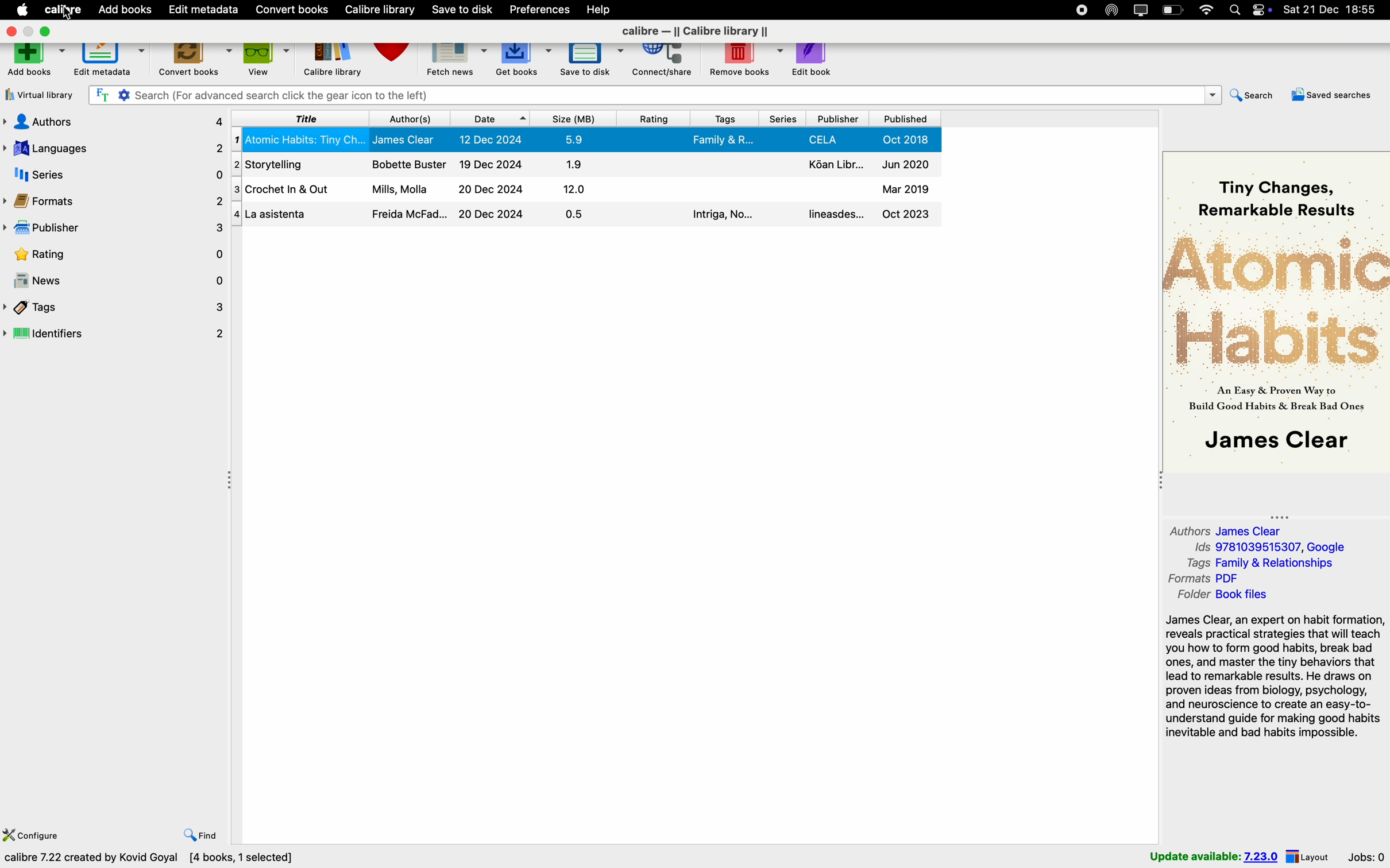 The image size is (1390, 868). Describe the element at coordinates (1206, 10) in the screenshot. I see `wifi` at that location.